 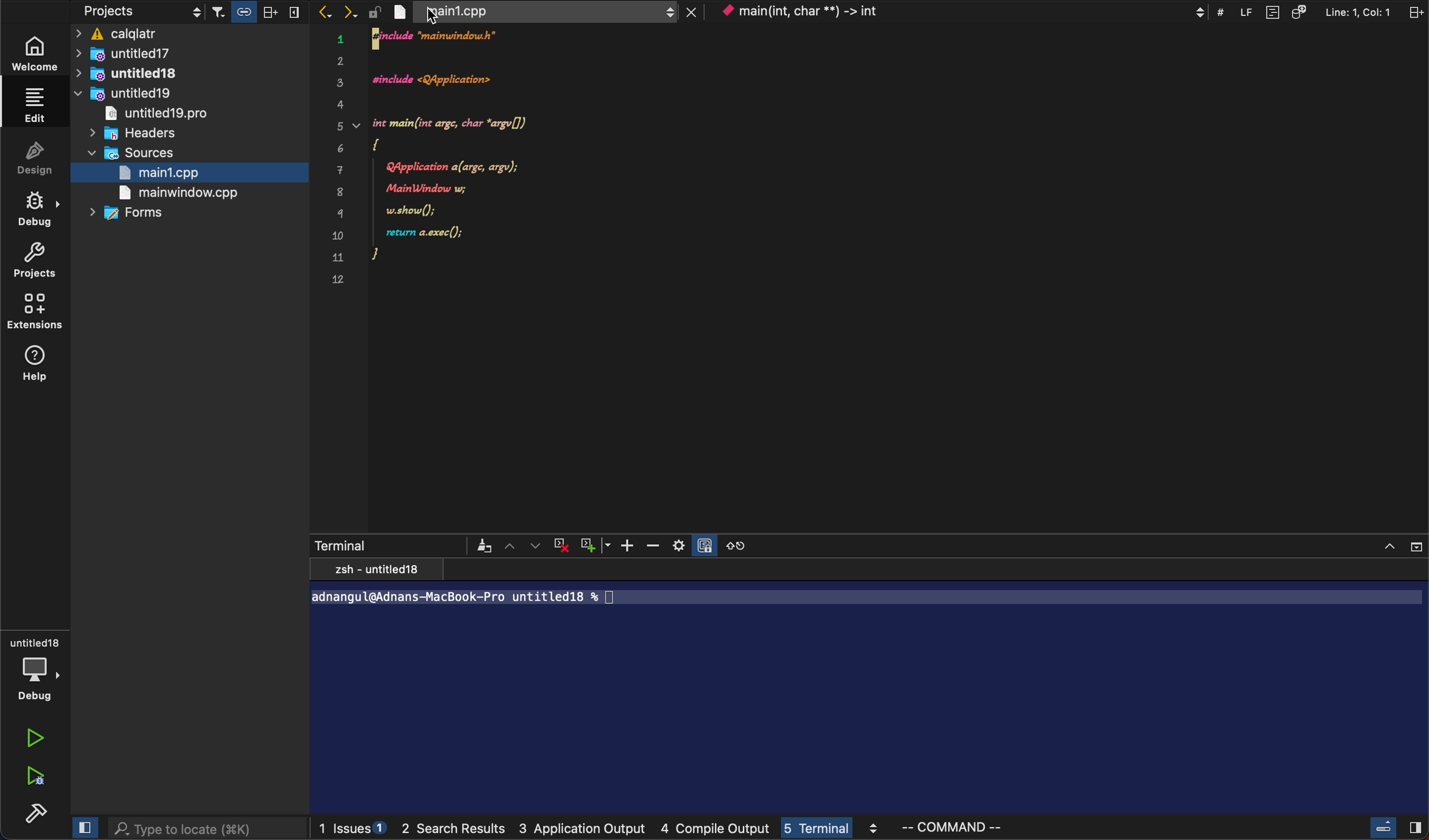 What do you see at coordinates (37, 103) in the screenshot?
I see `edit` at bounding box center [37, 103].